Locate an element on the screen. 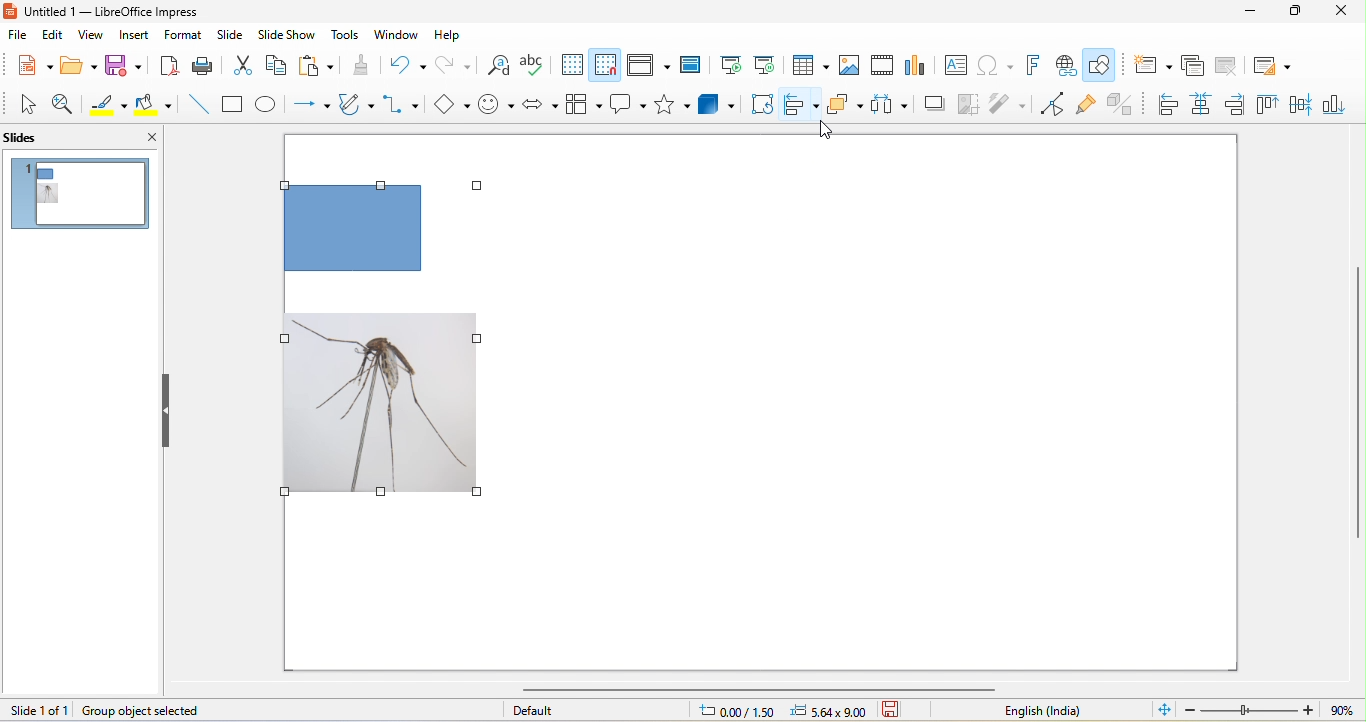  5.64 x 9.00 is located at coordinates (832, 712).